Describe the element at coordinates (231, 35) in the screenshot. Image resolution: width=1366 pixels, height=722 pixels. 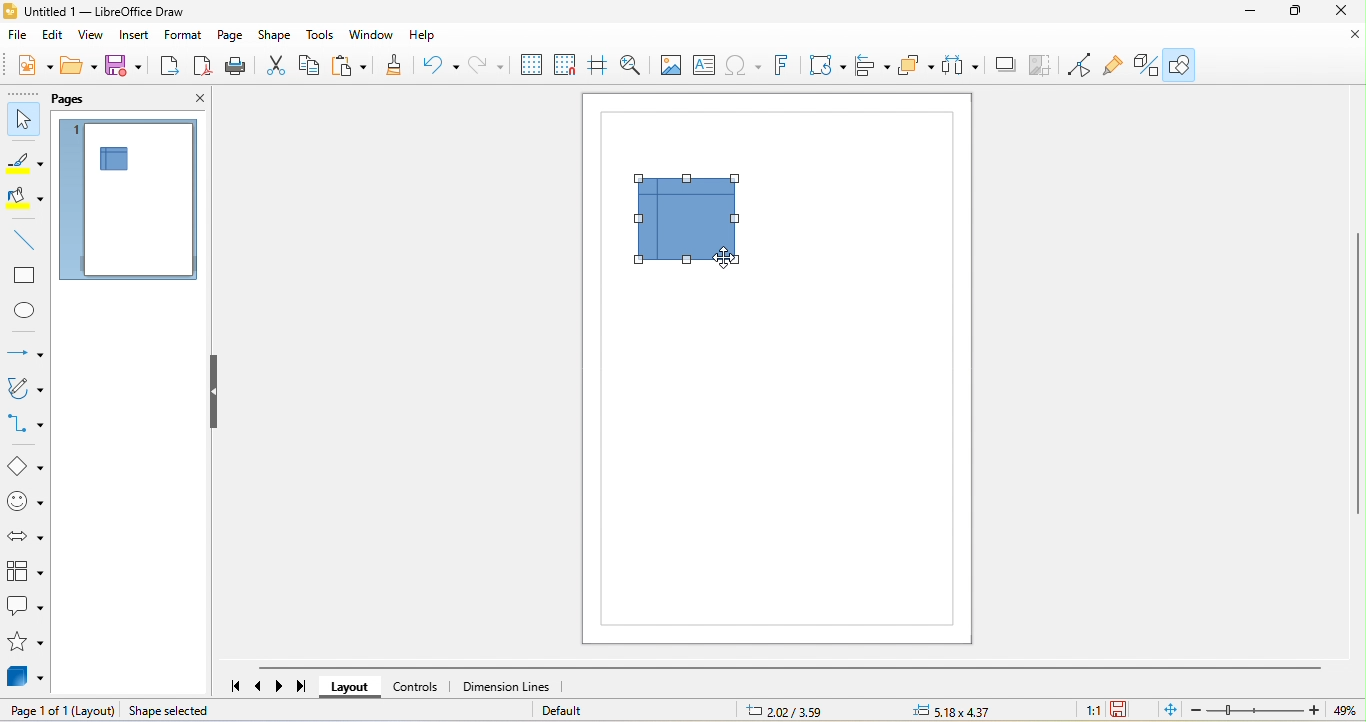
I see `page` at that location.